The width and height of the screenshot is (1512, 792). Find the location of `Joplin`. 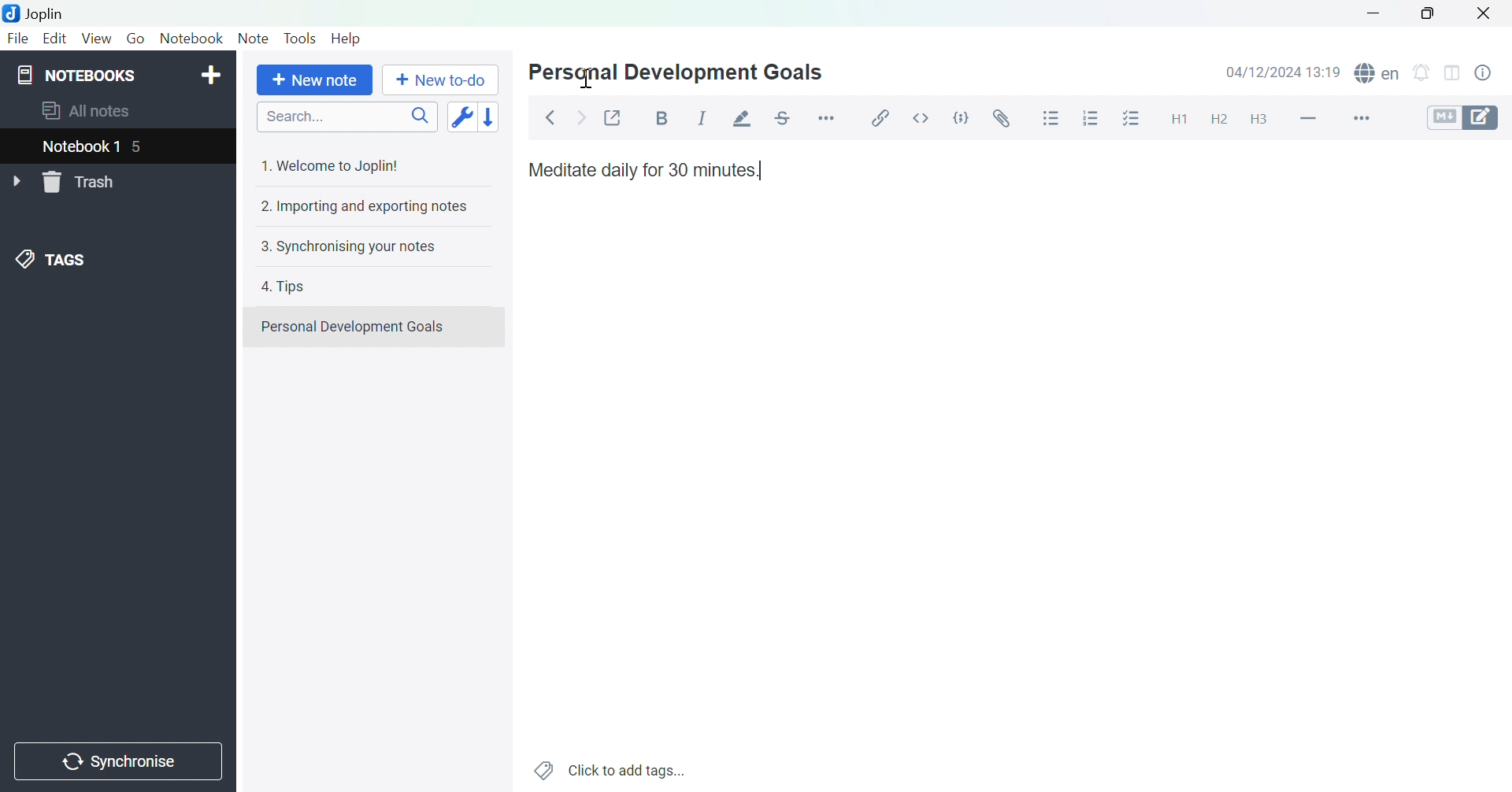

Joplin is located at coordinates (37, 13).